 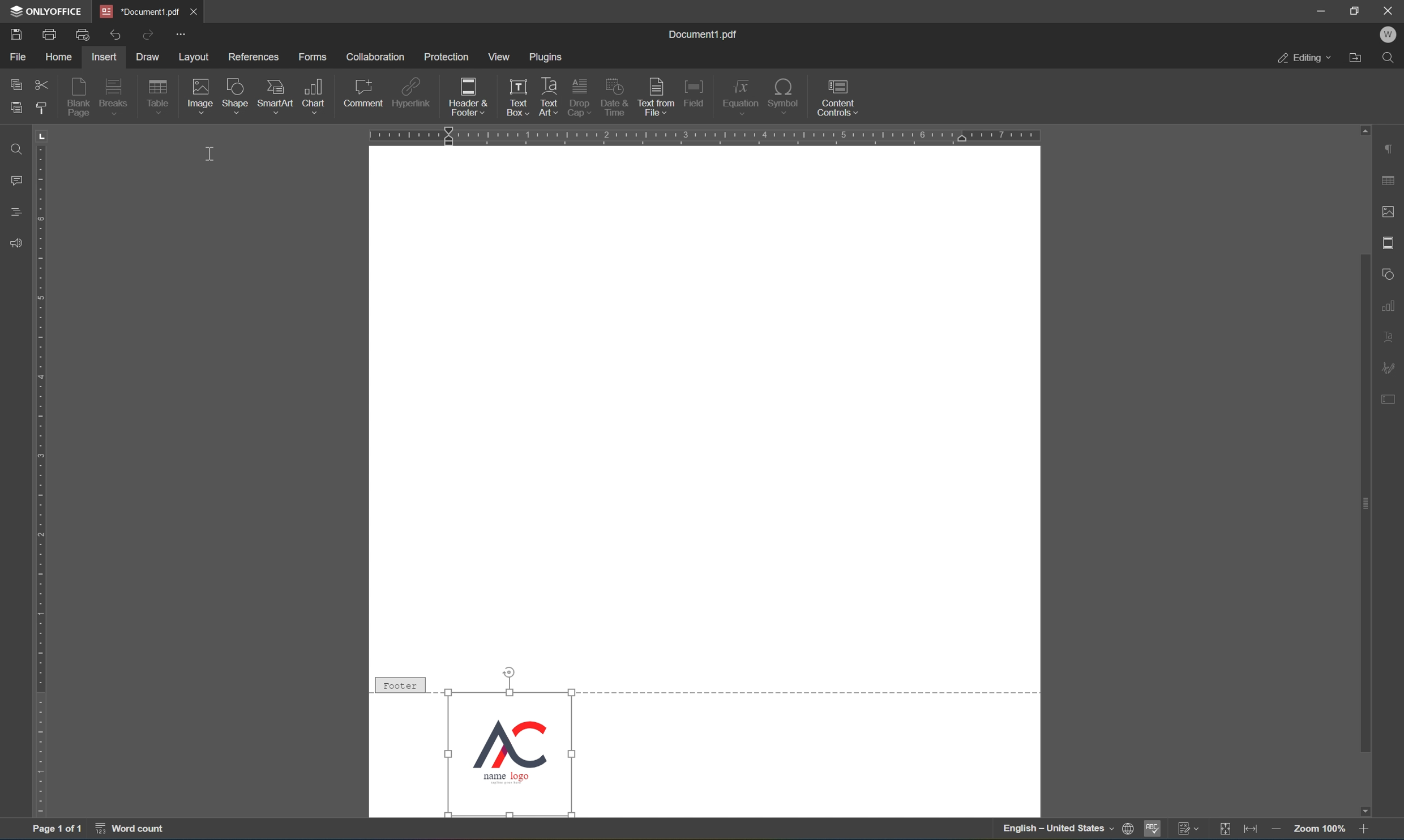 What do you see at coordinates (1358, 11) in the screenshot?
I see `restore down` at bounding box center [1358, 11].